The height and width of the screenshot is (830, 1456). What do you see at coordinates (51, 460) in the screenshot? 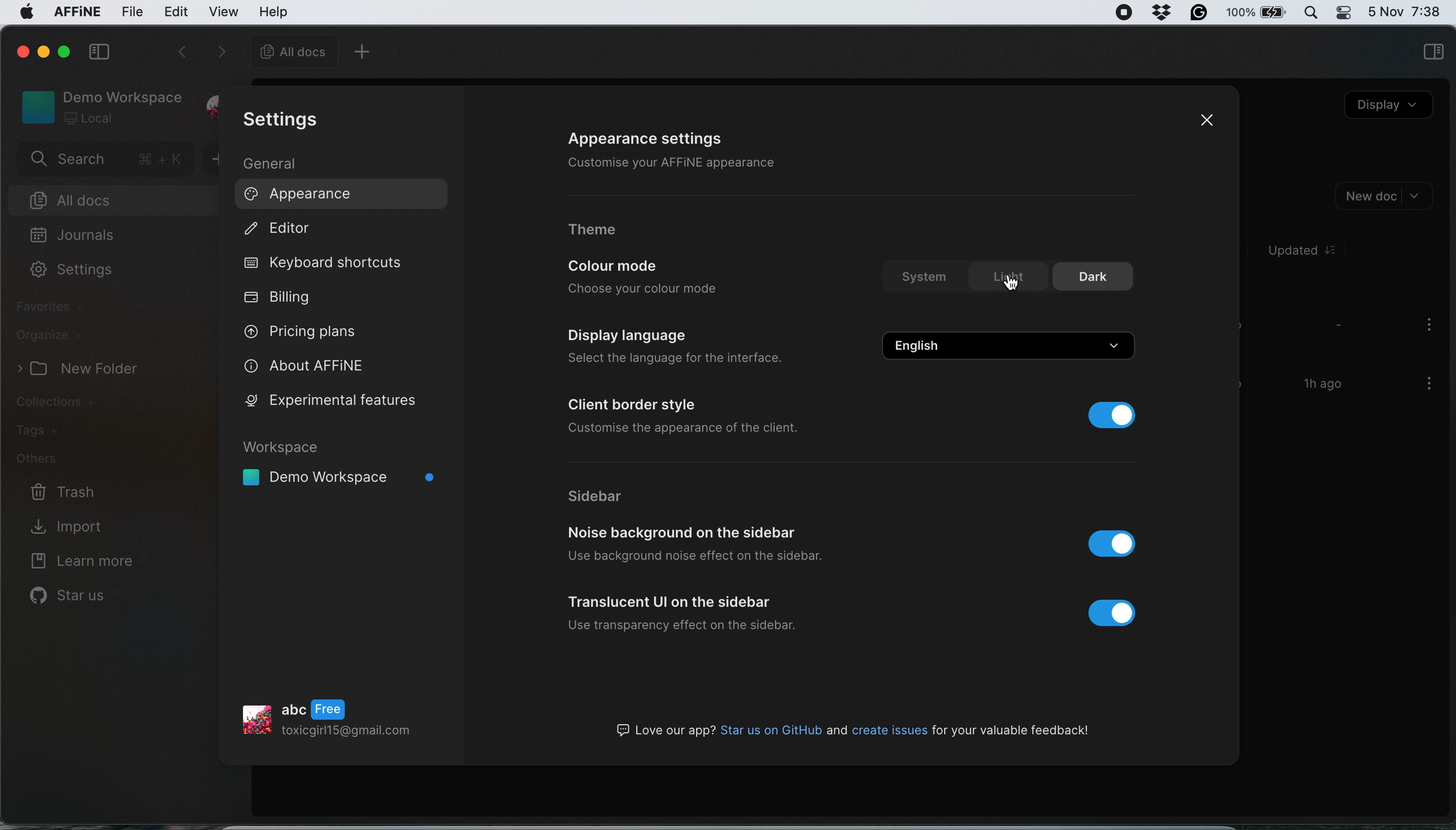
I see `others` at bounding box center [51, 460].